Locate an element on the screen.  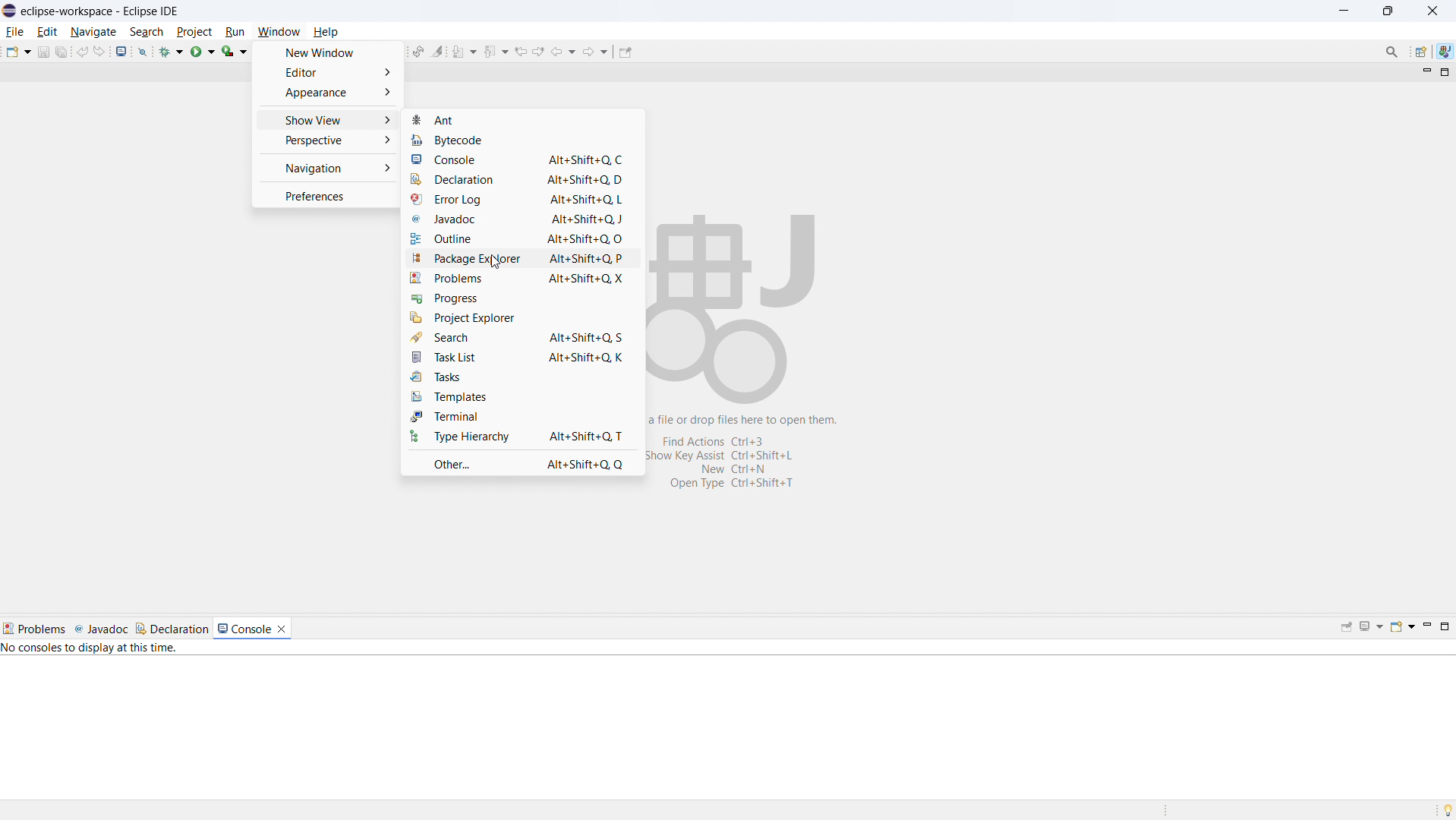
edit is located at coordinates (48, 32).